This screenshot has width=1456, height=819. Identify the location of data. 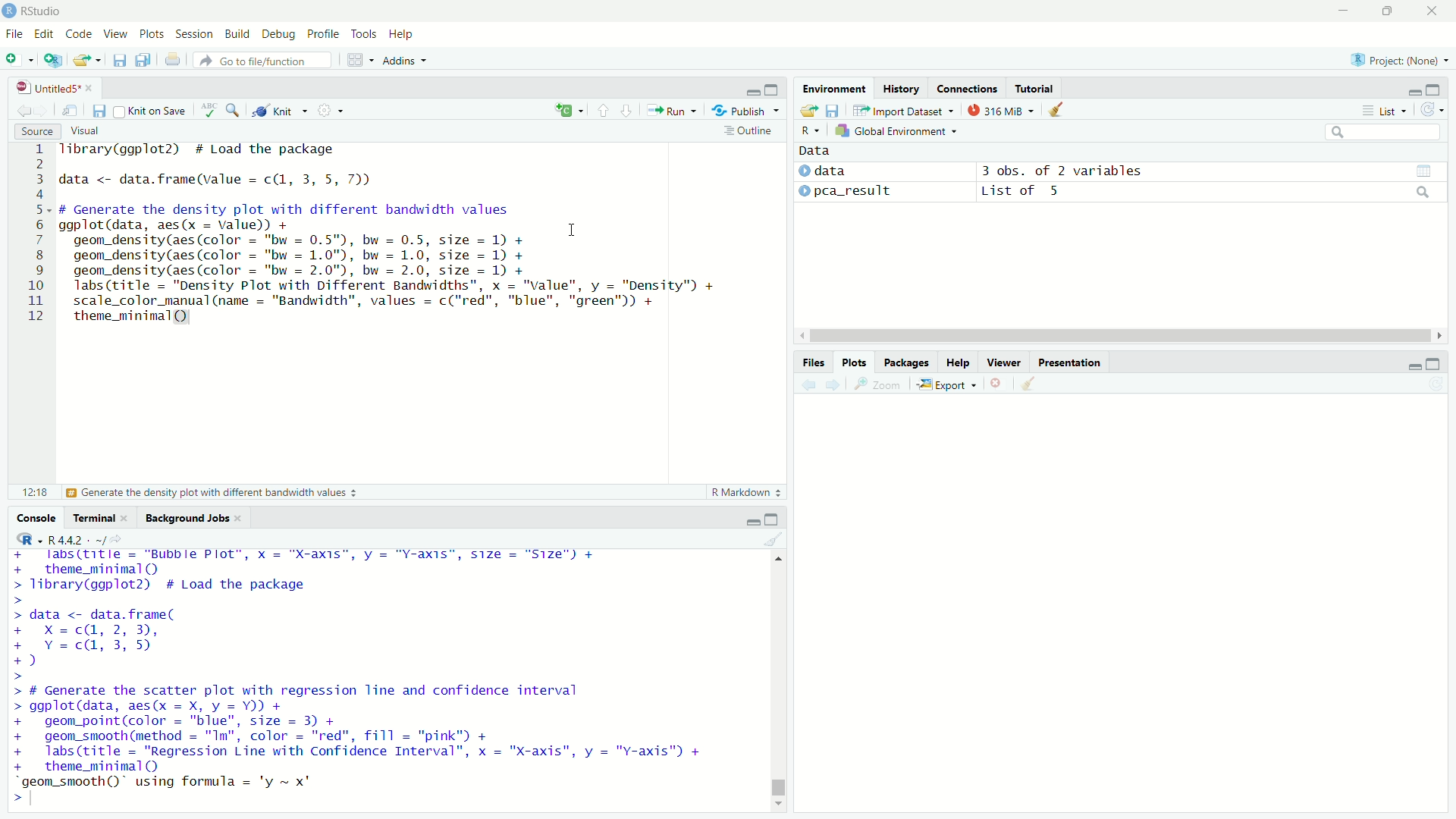
(830, 170).